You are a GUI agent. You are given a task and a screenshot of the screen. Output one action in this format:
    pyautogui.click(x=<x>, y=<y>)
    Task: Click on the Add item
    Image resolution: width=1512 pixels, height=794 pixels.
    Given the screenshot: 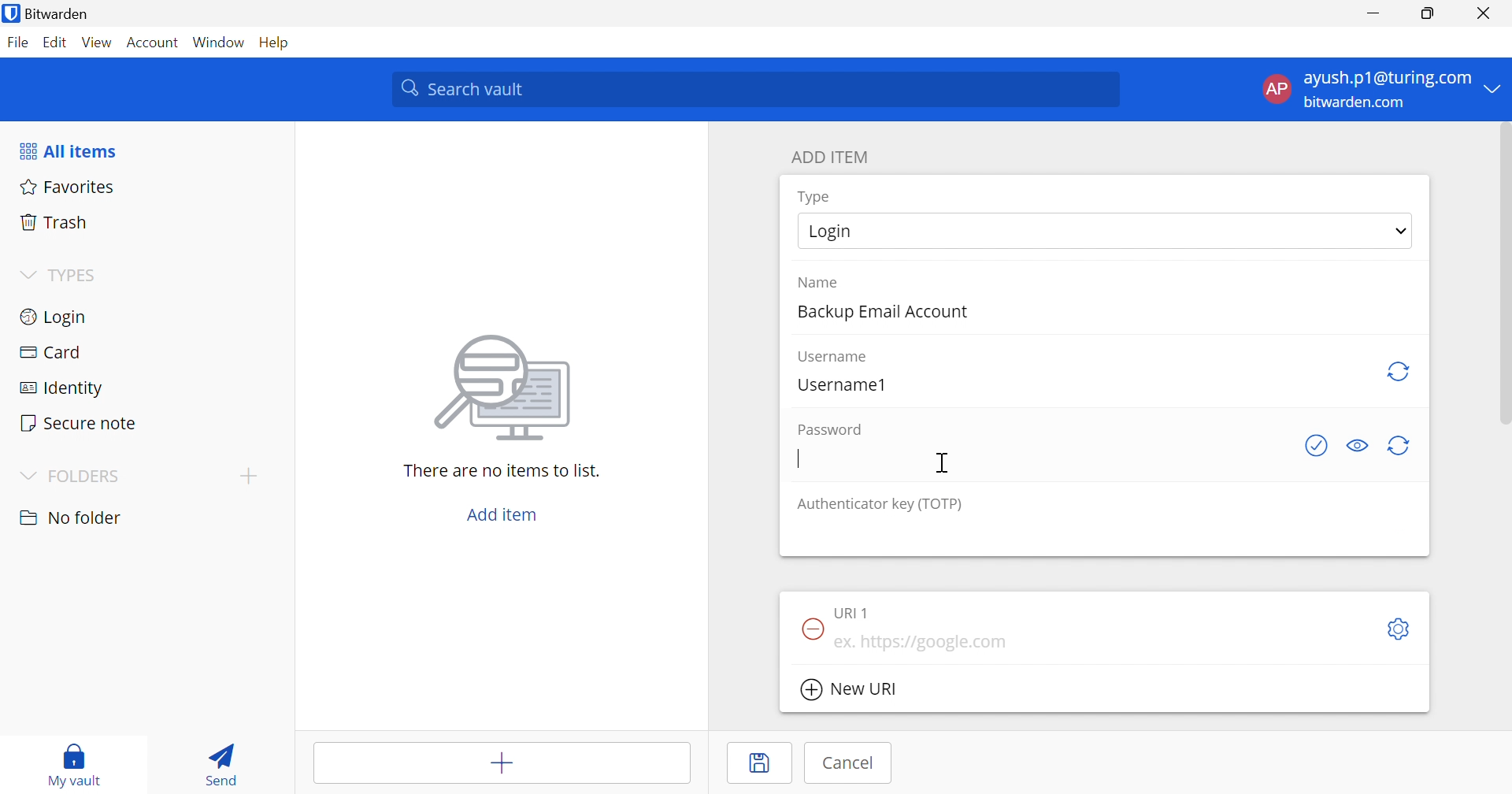 What is the action you would take?
    pyautogui.click(x=503, y=513)
    